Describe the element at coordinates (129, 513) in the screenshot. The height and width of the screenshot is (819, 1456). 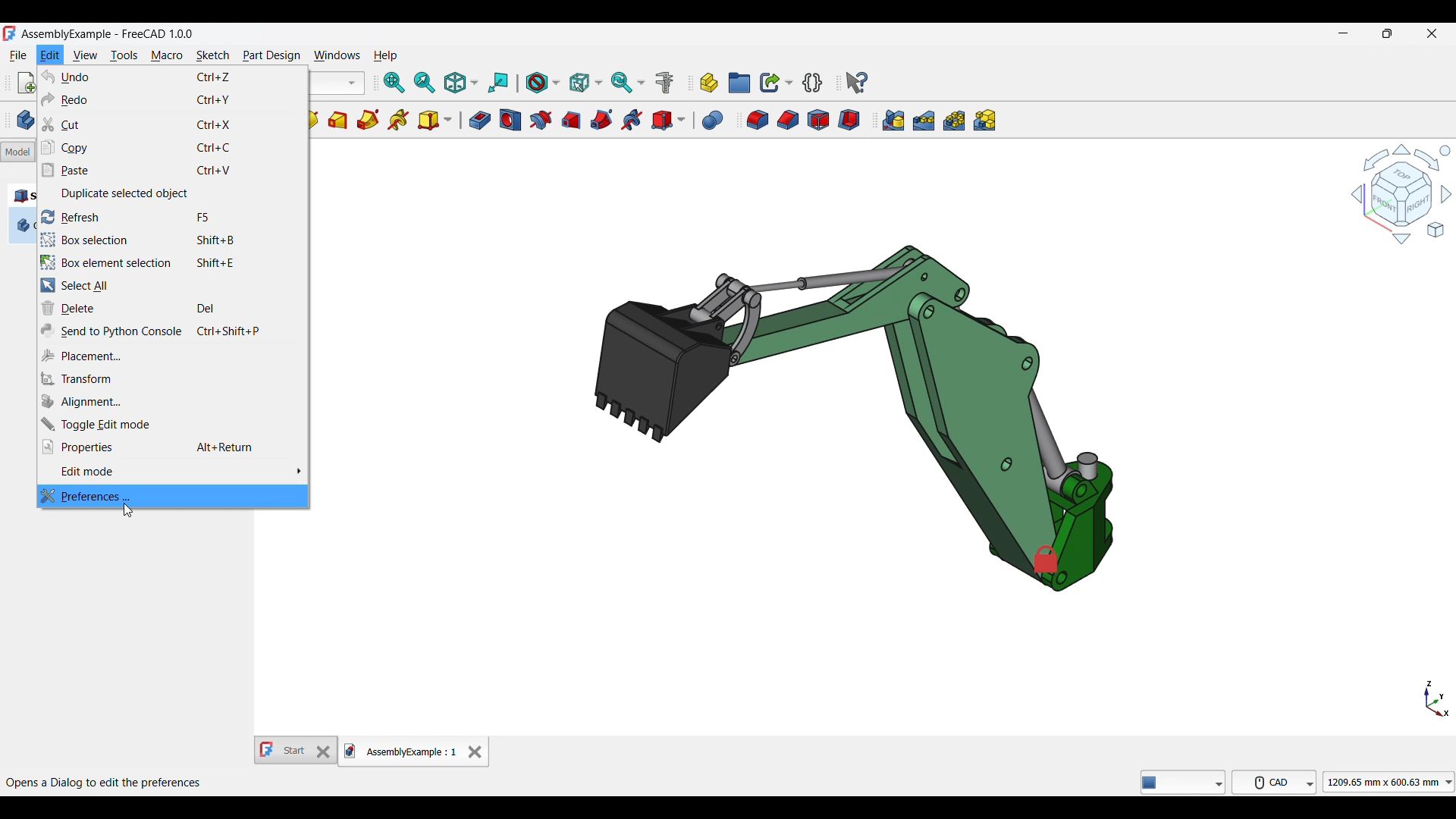
I see `cursor` at that location.